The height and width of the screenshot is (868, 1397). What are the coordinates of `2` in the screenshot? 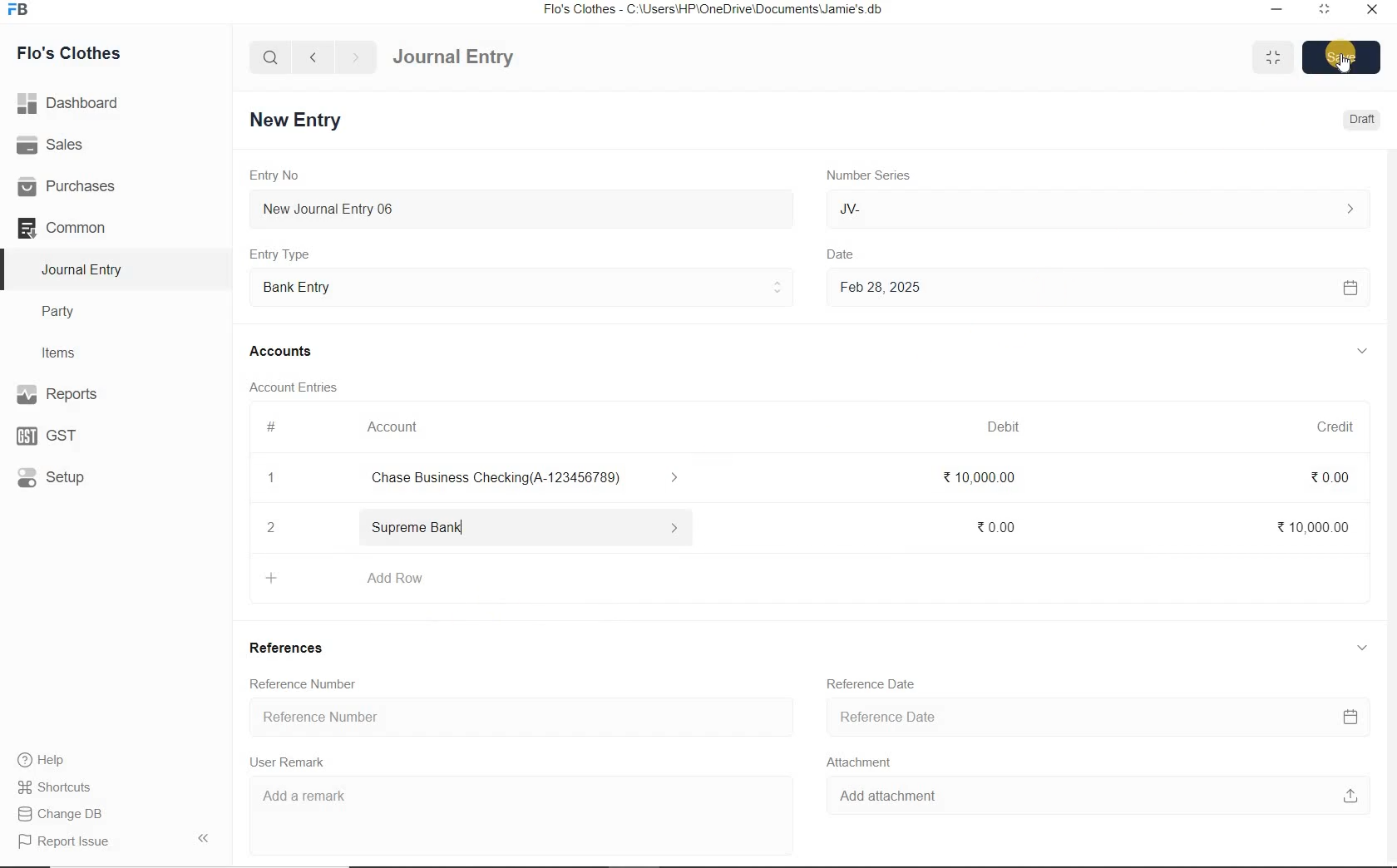 It's located at (274, 527).